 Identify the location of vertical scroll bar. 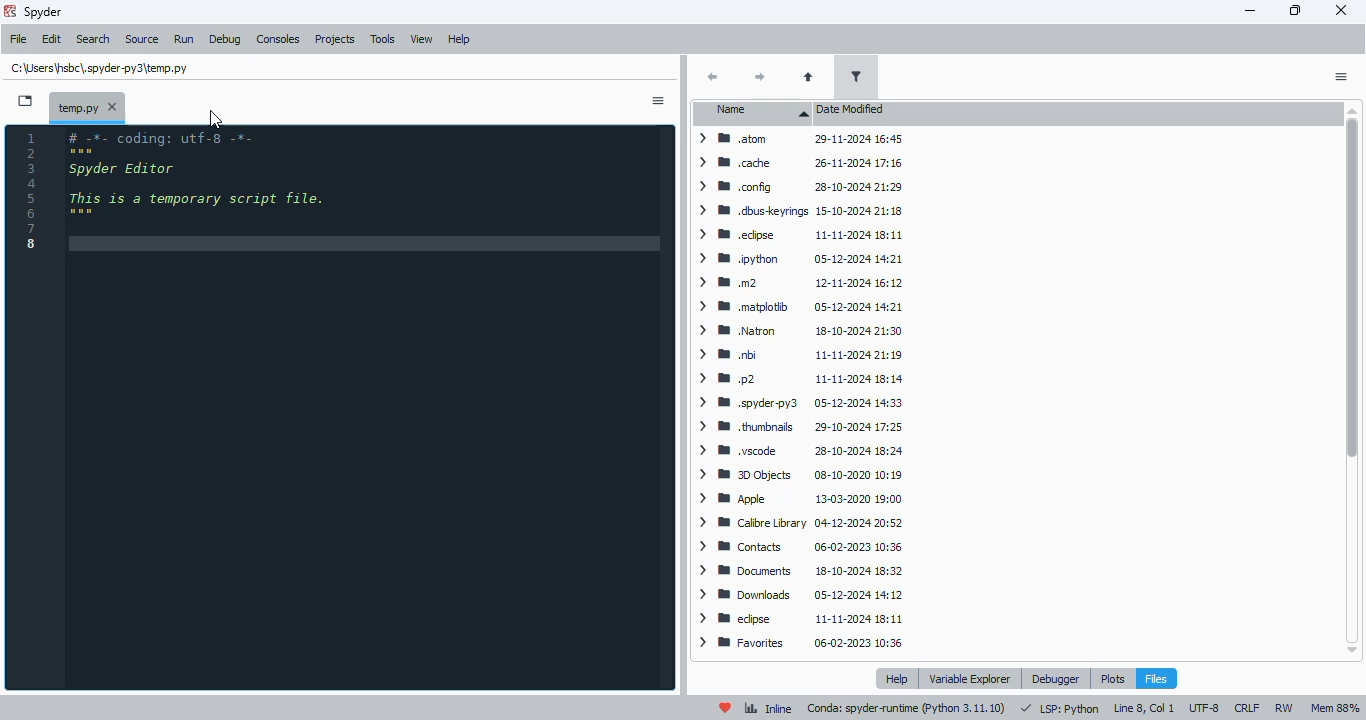
(1349, 380).